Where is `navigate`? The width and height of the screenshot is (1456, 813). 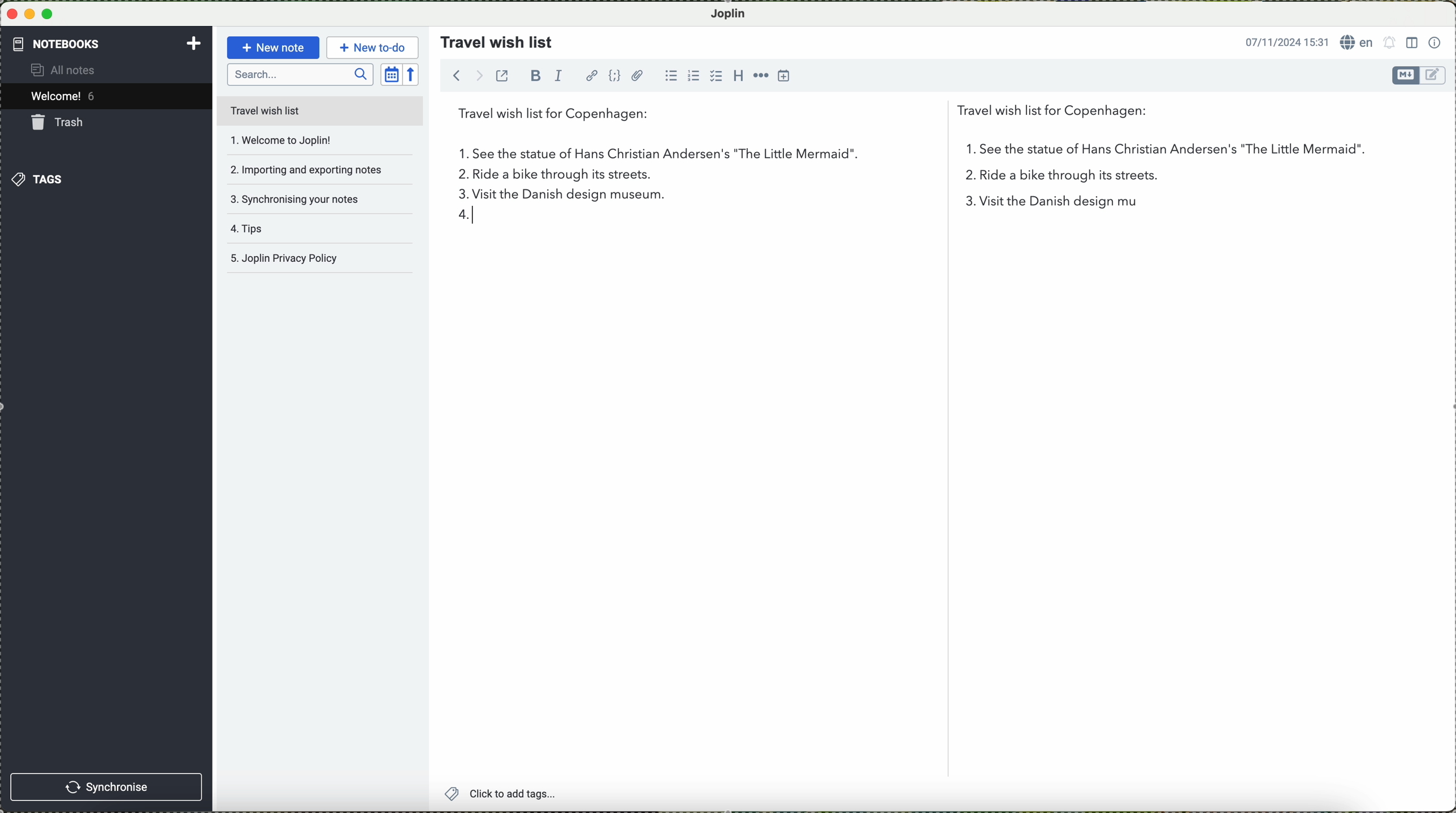 navigate is located at coordinates (461, 78).